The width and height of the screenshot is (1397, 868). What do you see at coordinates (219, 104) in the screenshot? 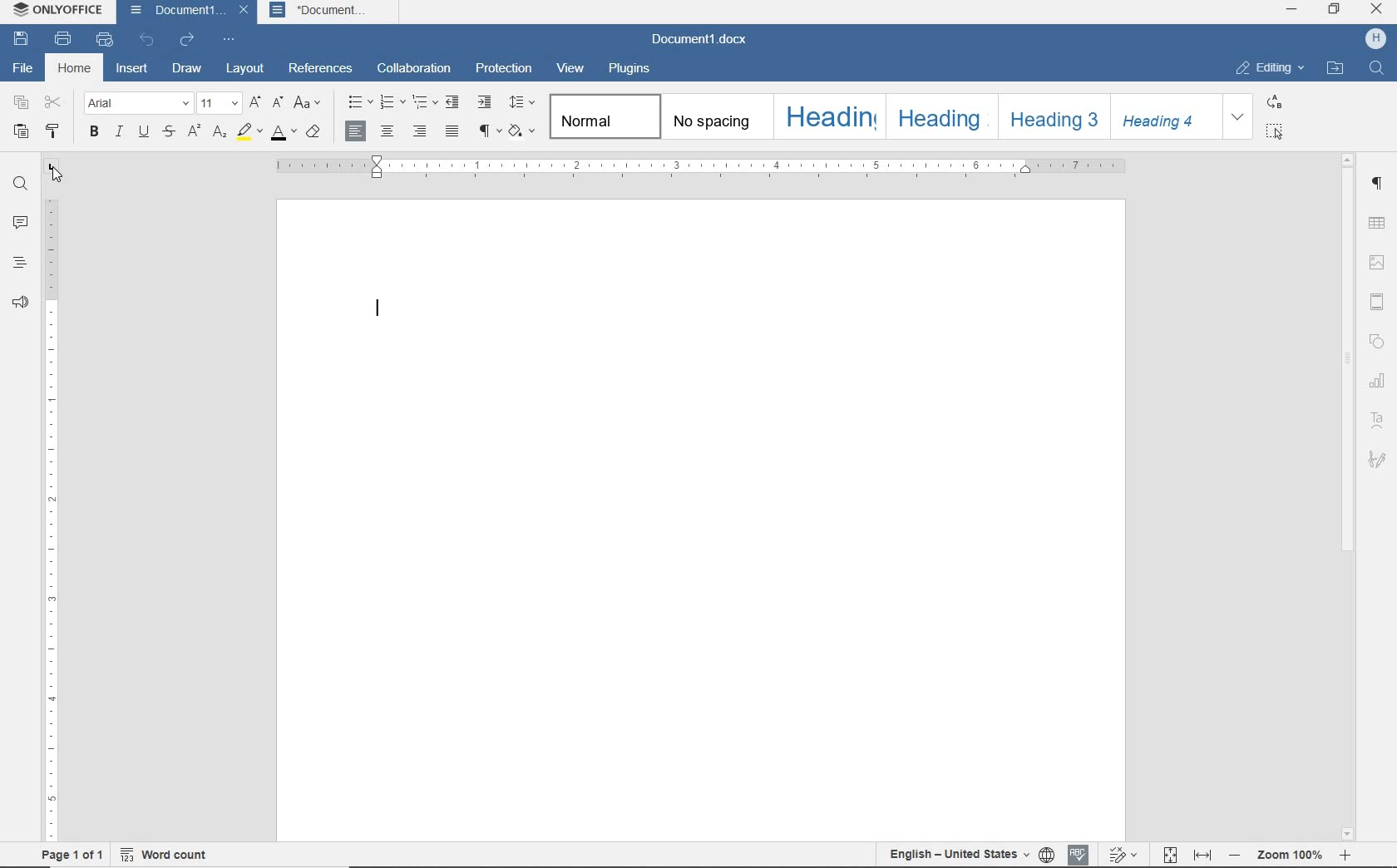
I see `FONT SIZE` at bounding box center [219, 104].